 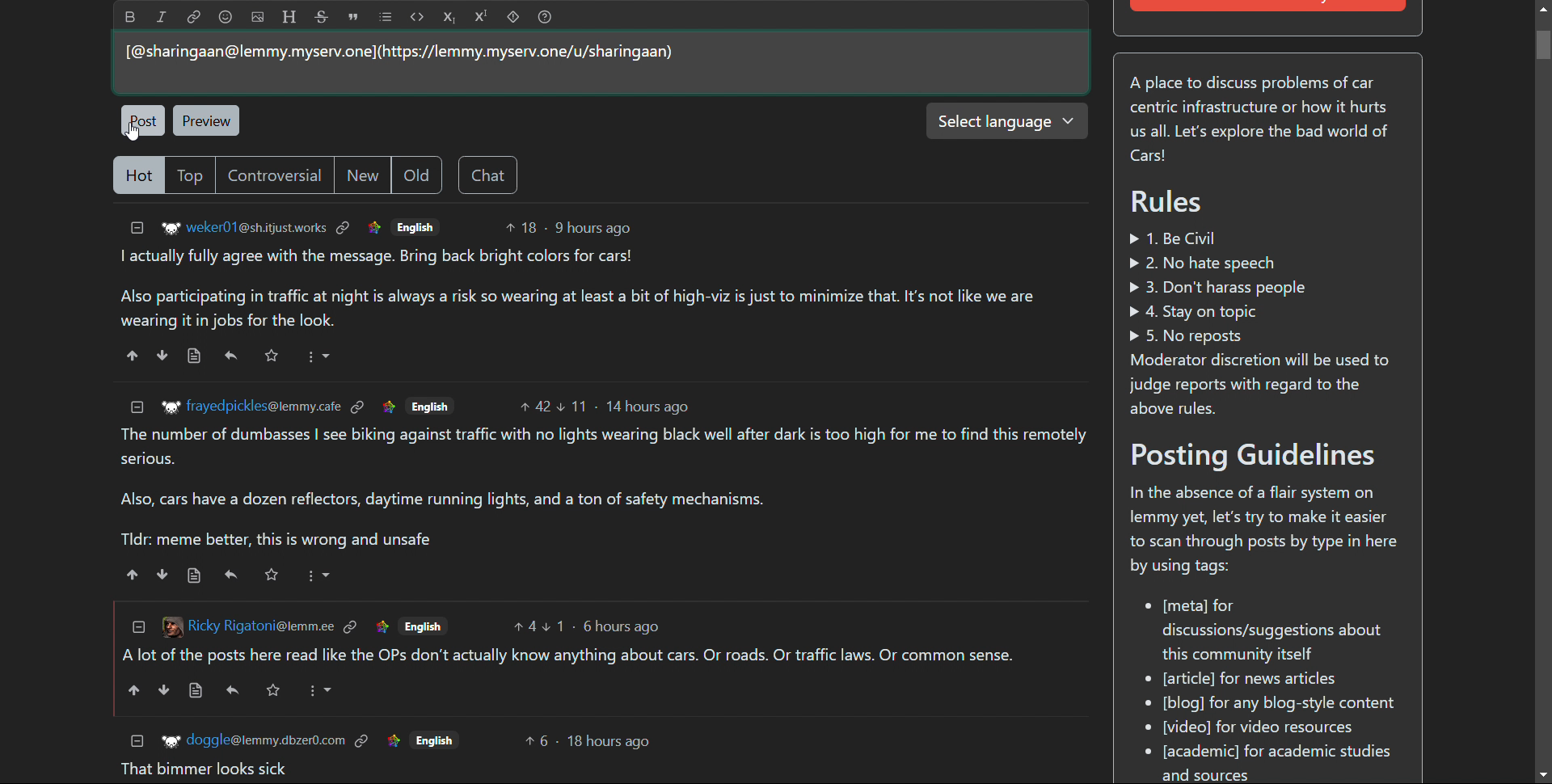 I want to click on subscript, so click(x=449, y=17).